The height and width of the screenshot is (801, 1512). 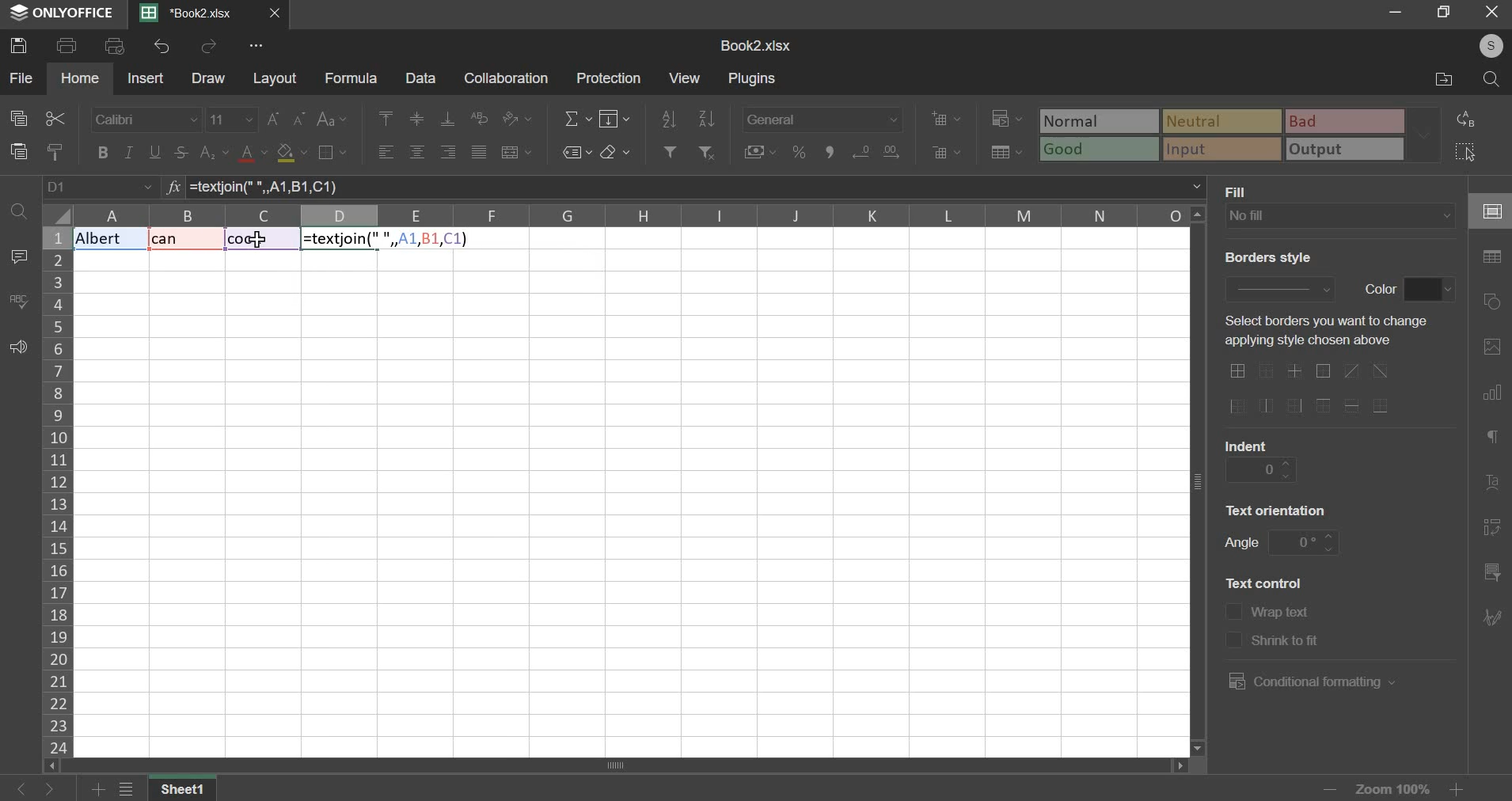 I want to click on slicer, so click(x=1490, y=575).